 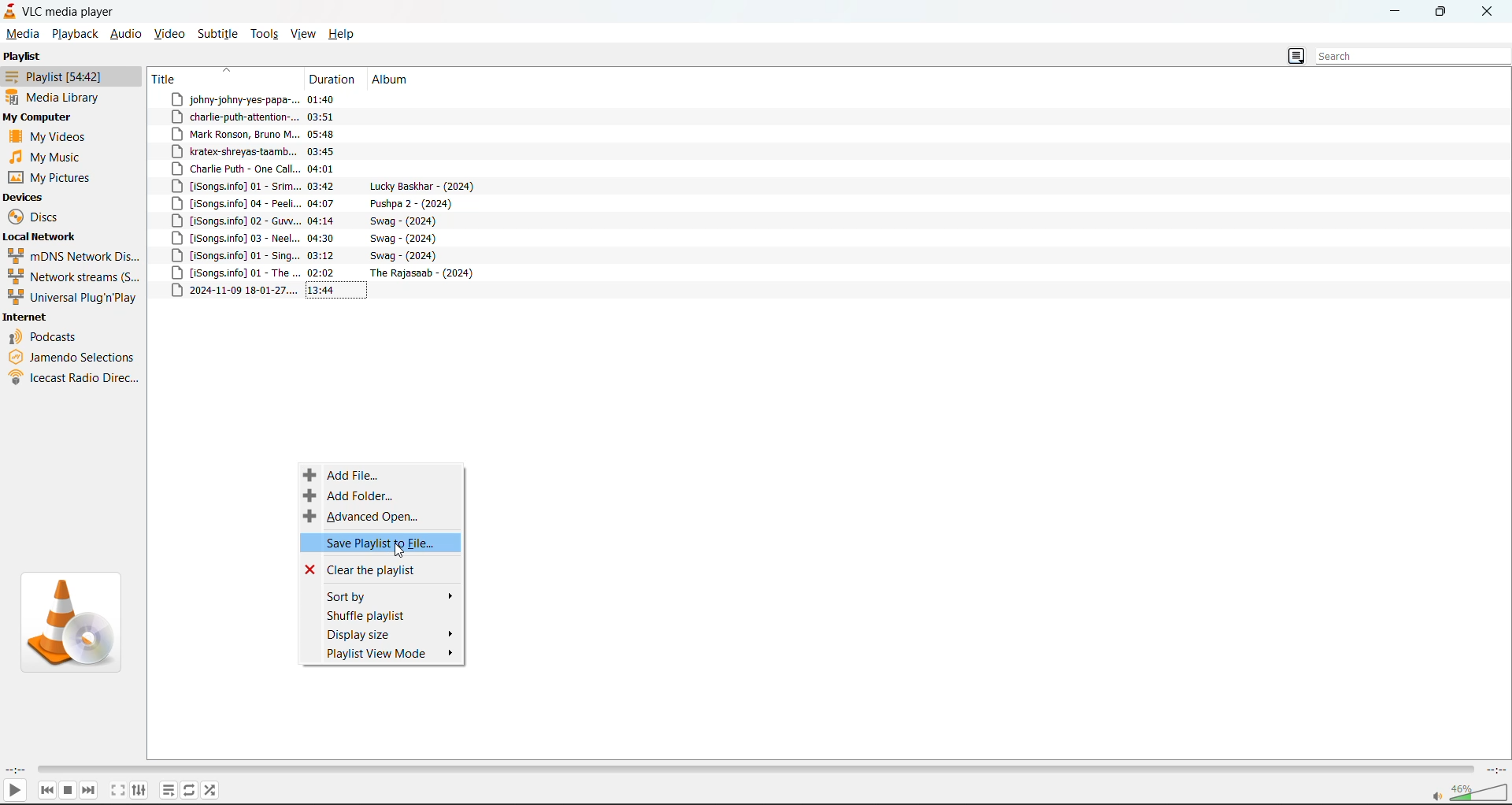 I want to click on fullscreen, so click(x=114, y=790).